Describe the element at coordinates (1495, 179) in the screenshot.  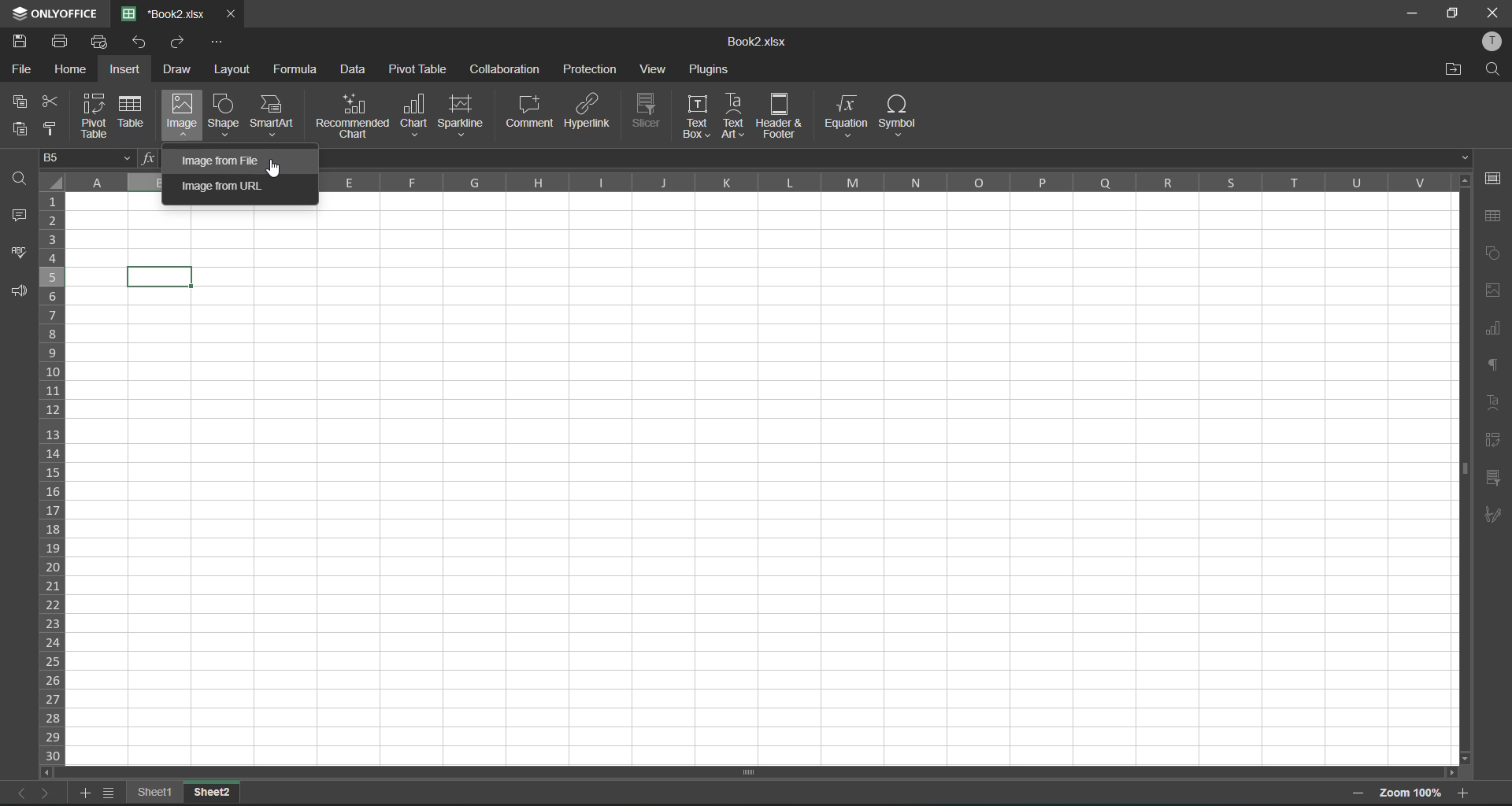
I see `cell settings` at that location.